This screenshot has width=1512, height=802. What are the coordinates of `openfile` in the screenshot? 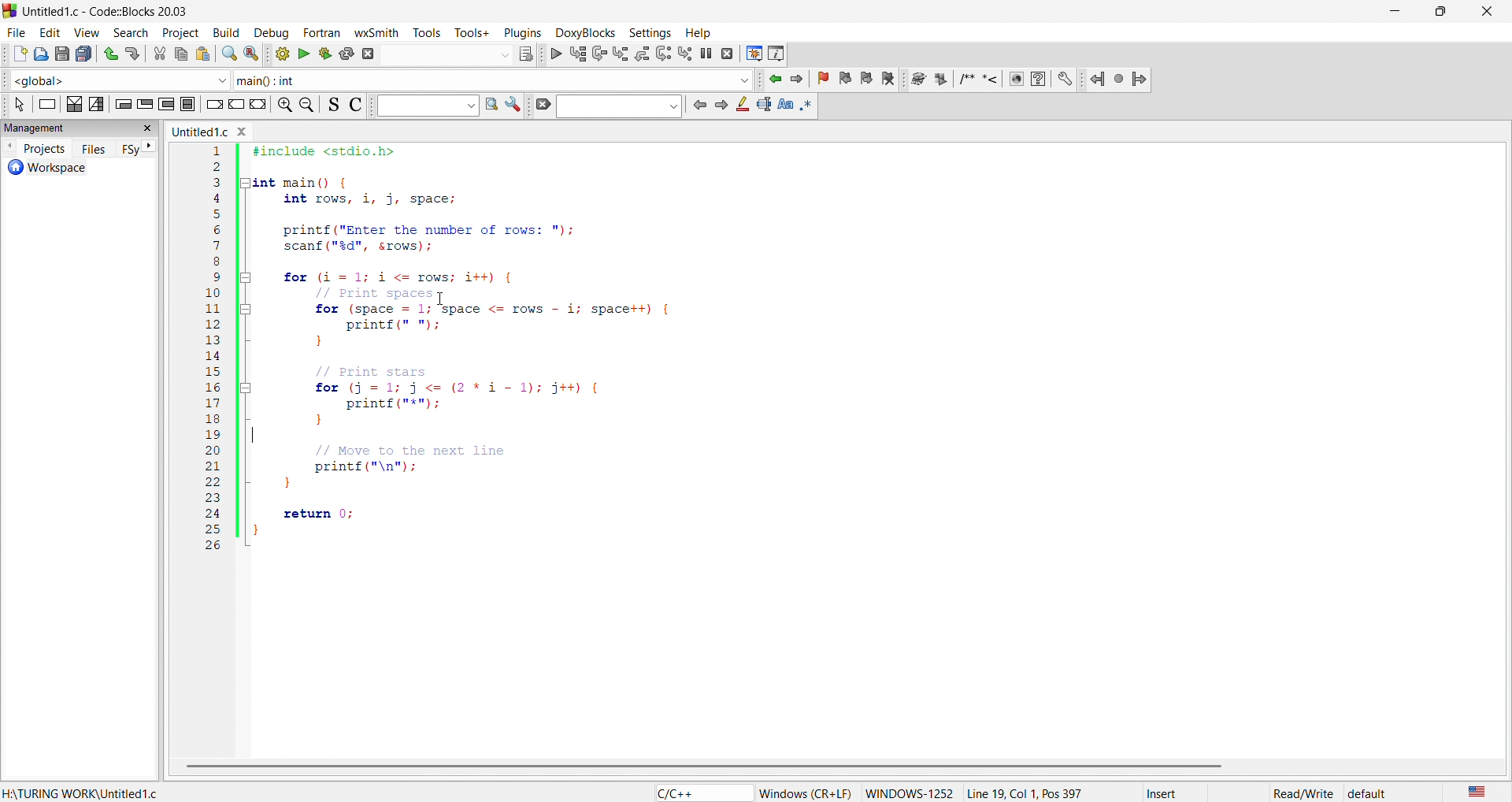 It's located at (37, 55).